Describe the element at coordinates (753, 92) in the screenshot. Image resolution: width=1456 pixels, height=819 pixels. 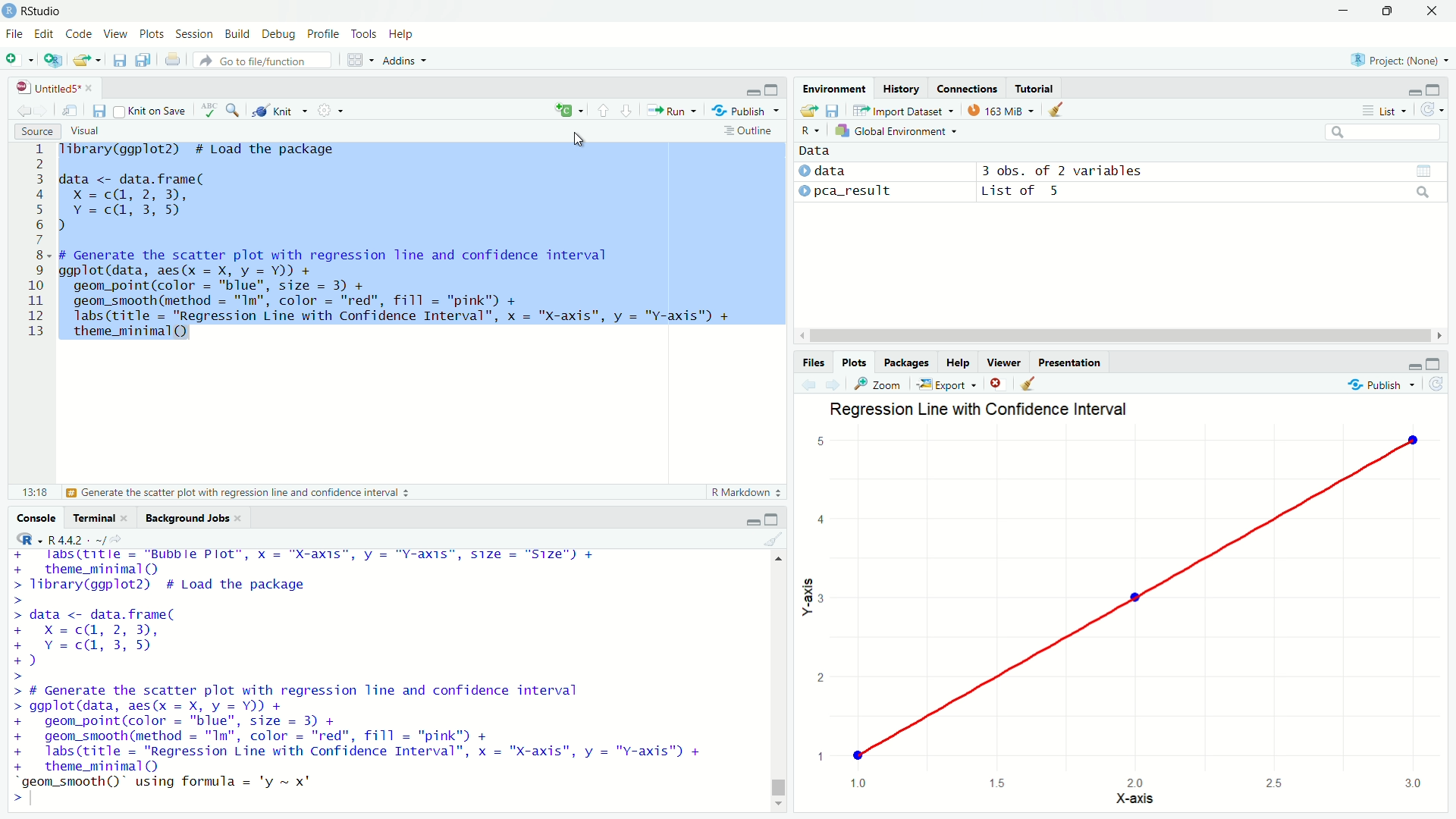
I see `minimize` at that location.